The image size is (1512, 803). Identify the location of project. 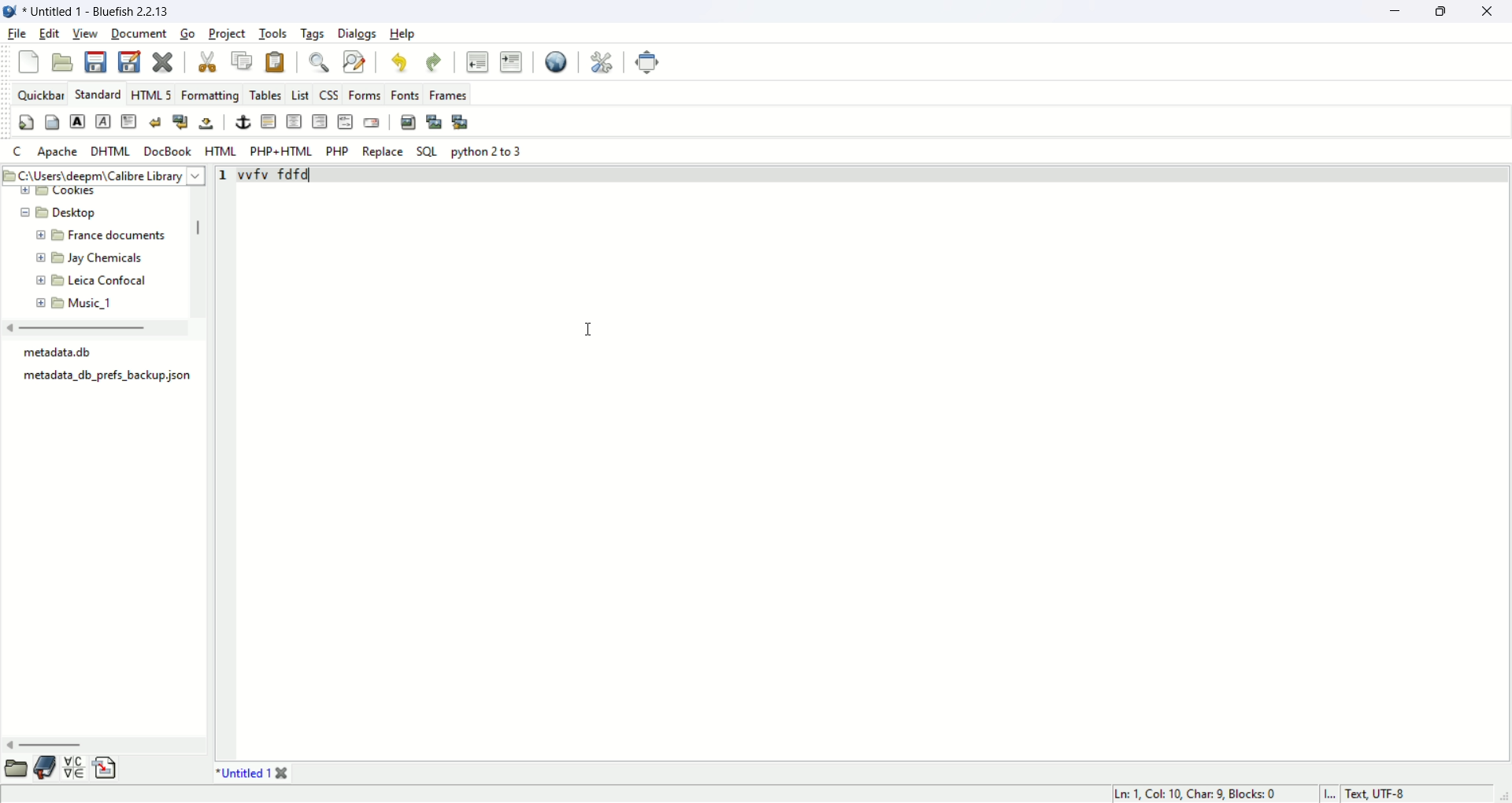
(227, 35).